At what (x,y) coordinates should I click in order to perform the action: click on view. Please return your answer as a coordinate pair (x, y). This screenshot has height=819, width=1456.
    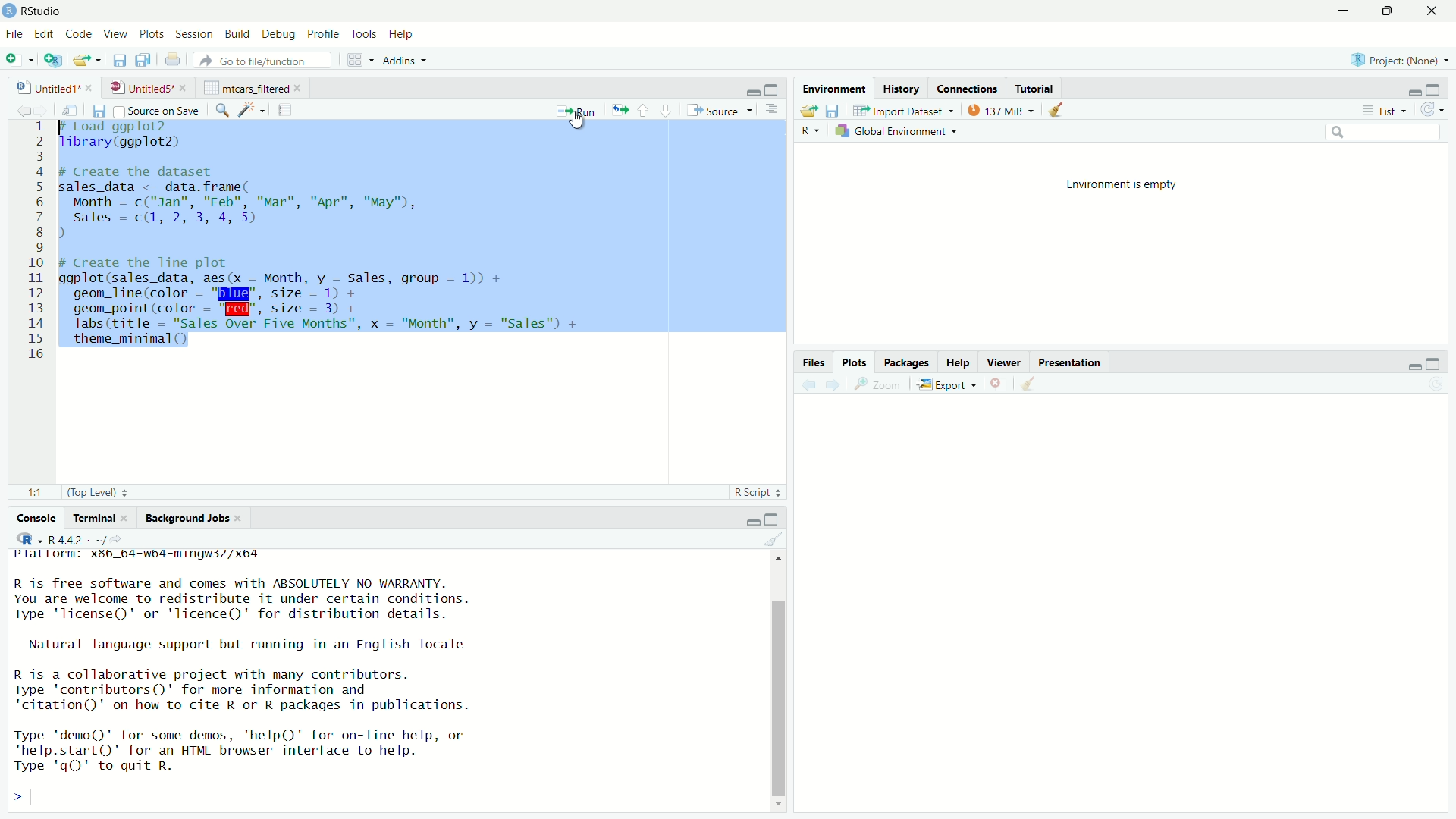
    Looking at the image, I should click on (115, 34).